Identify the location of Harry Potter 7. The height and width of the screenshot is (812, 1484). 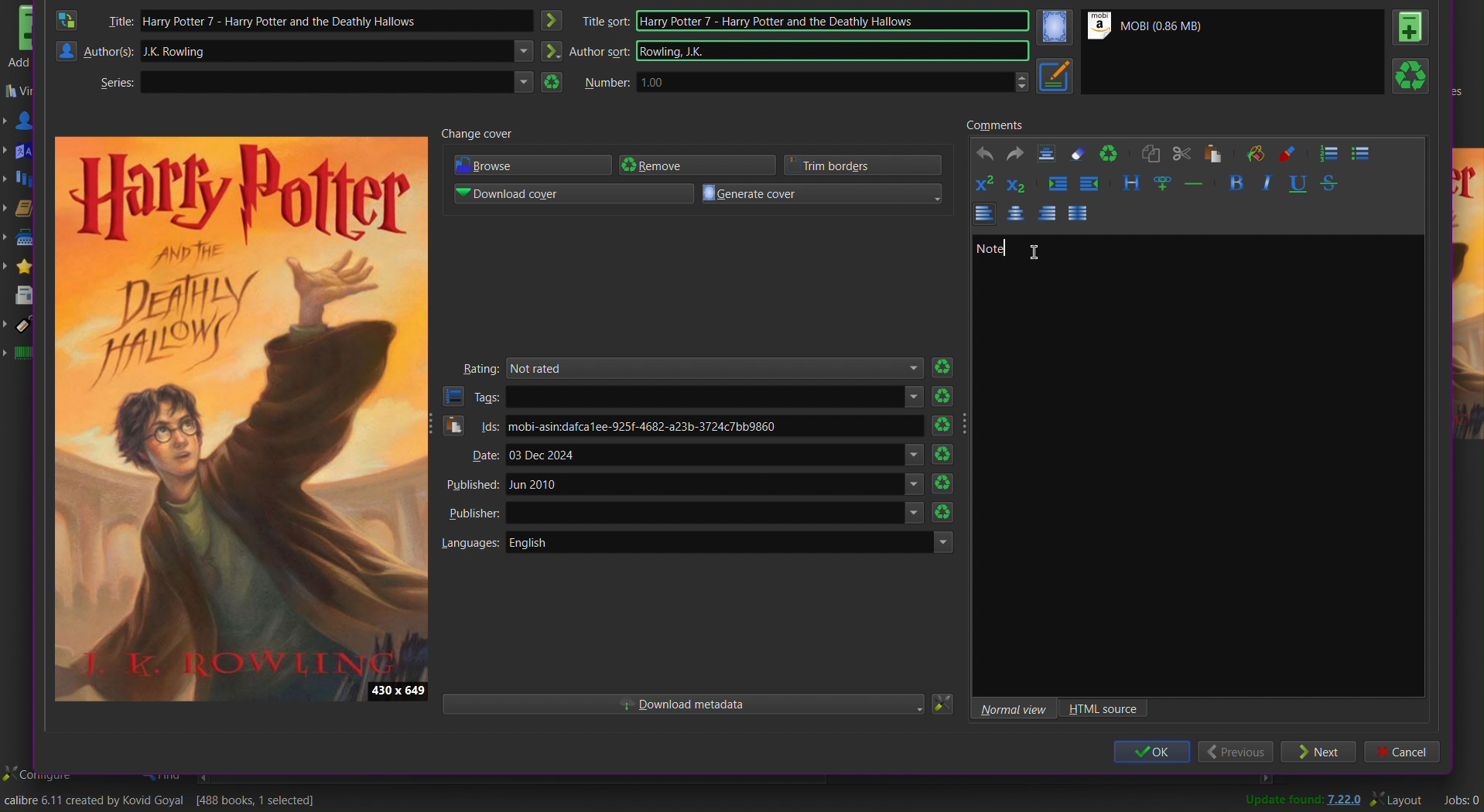
(832, 20).